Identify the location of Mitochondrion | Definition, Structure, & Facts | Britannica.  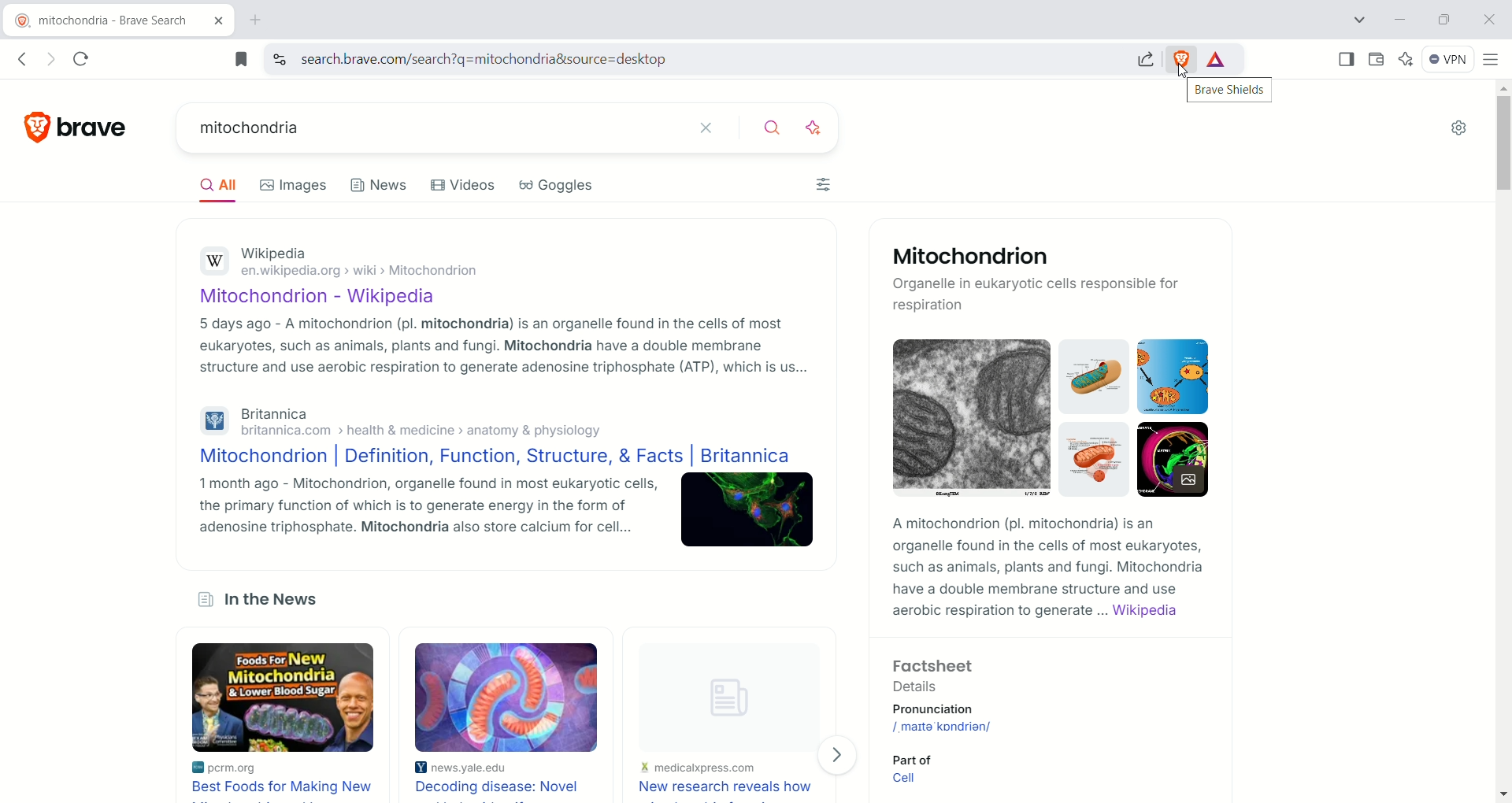
(495, 457).